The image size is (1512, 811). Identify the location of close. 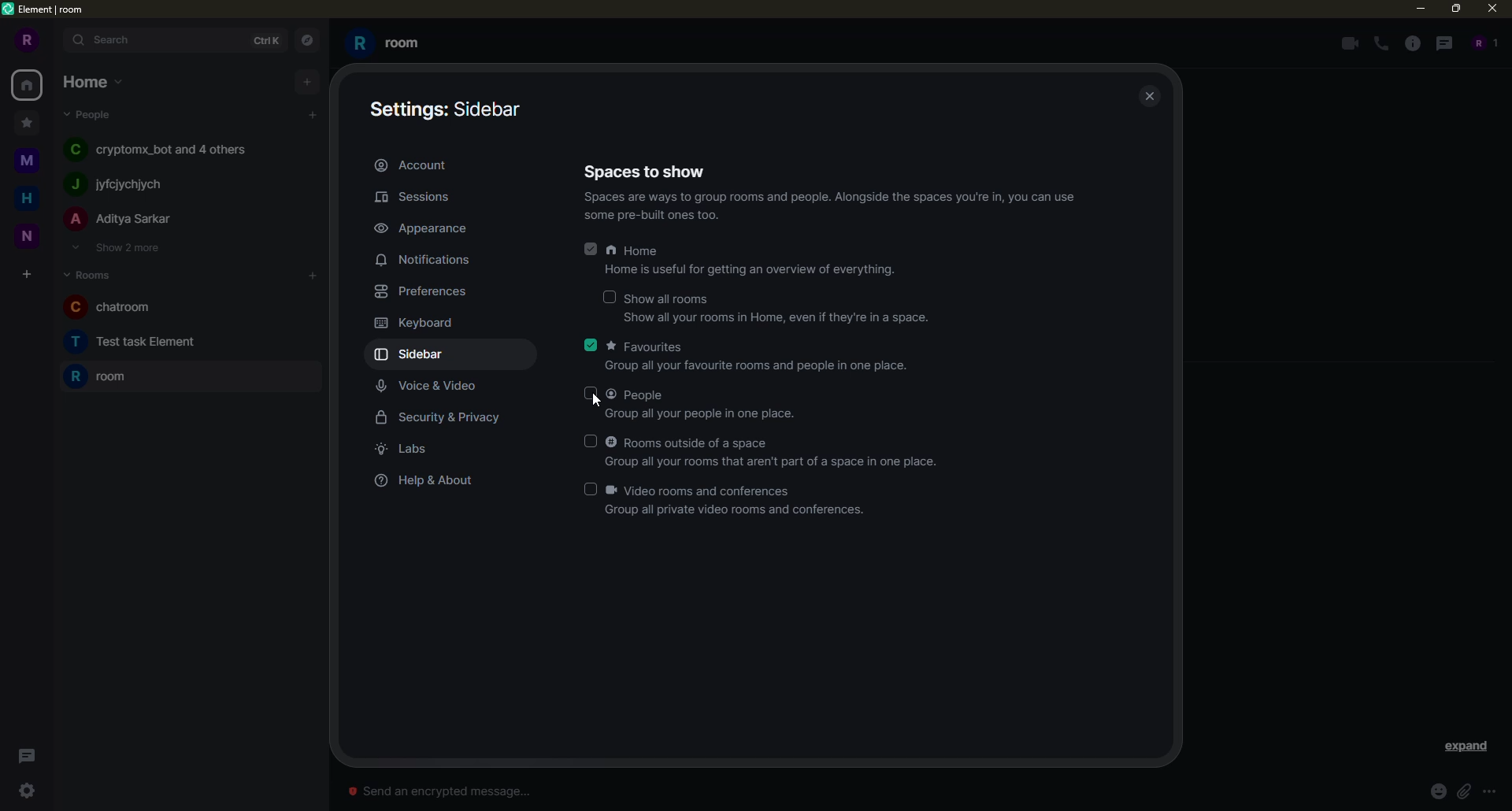
(1491, 12).